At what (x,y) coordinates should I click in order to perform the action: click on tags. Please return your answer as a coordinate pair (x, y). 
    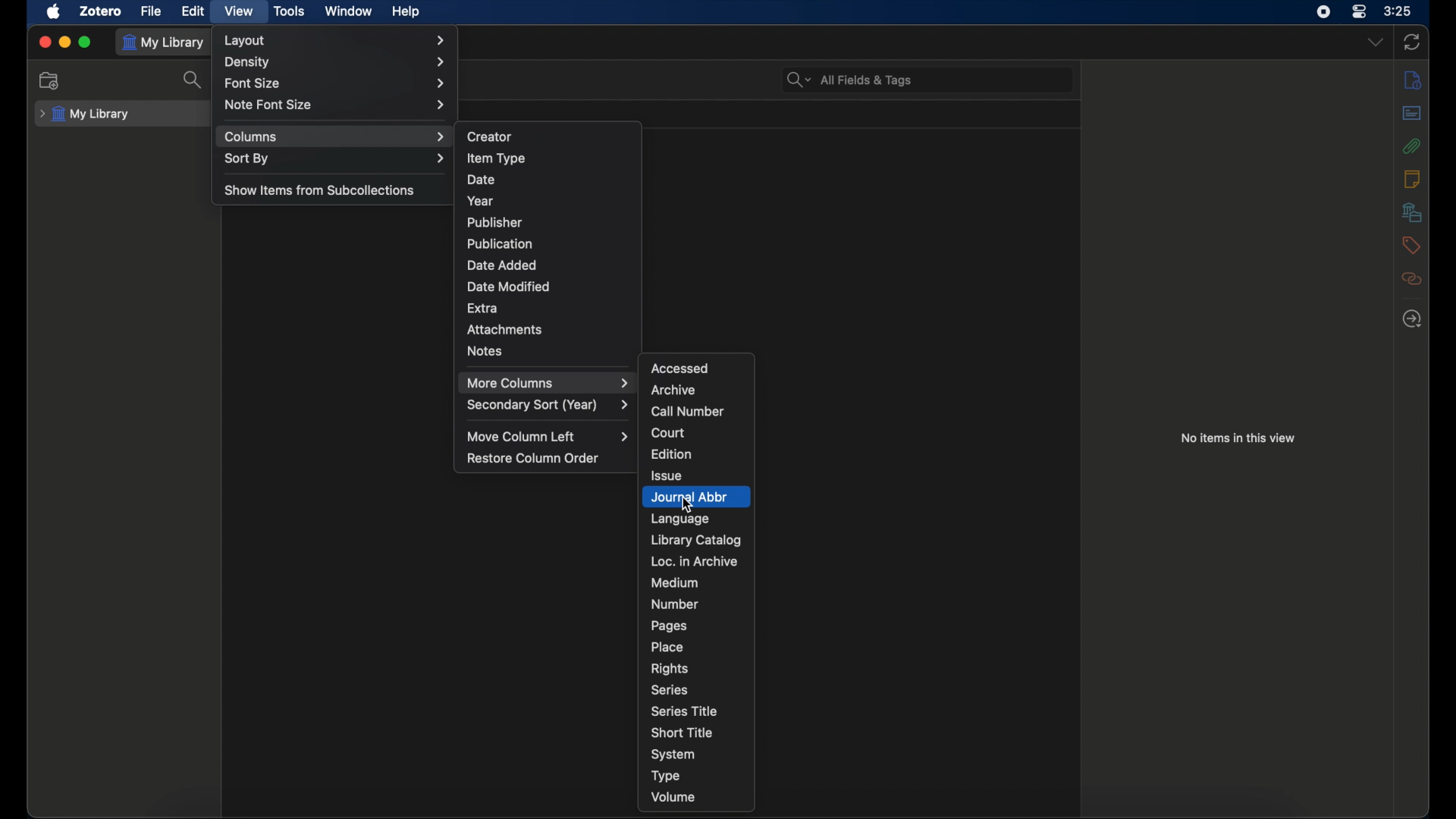
    Looking at the image, I should click on (1411, 245).